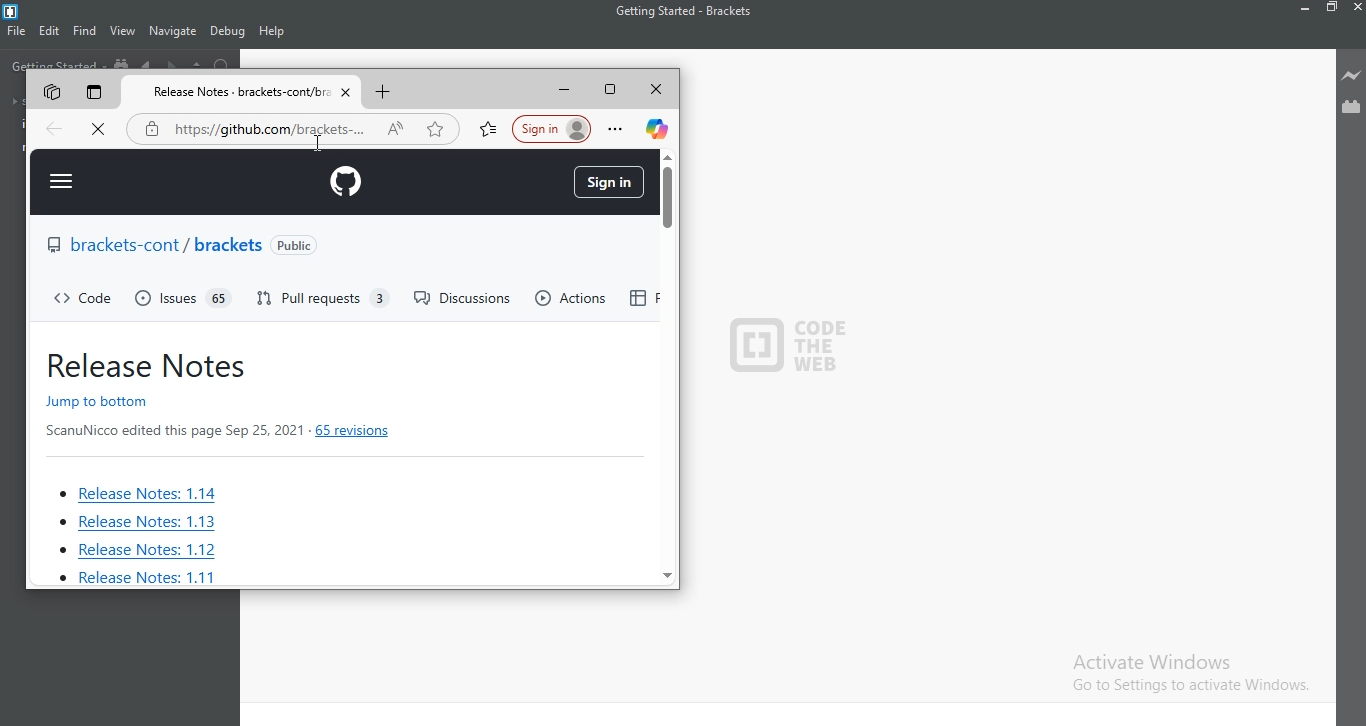 The width and height of the screenshot is (1366, 726). What do you see at coordinates (50, 30) in the screenshot?
I see `Edit` at bounding box center [50, 30].